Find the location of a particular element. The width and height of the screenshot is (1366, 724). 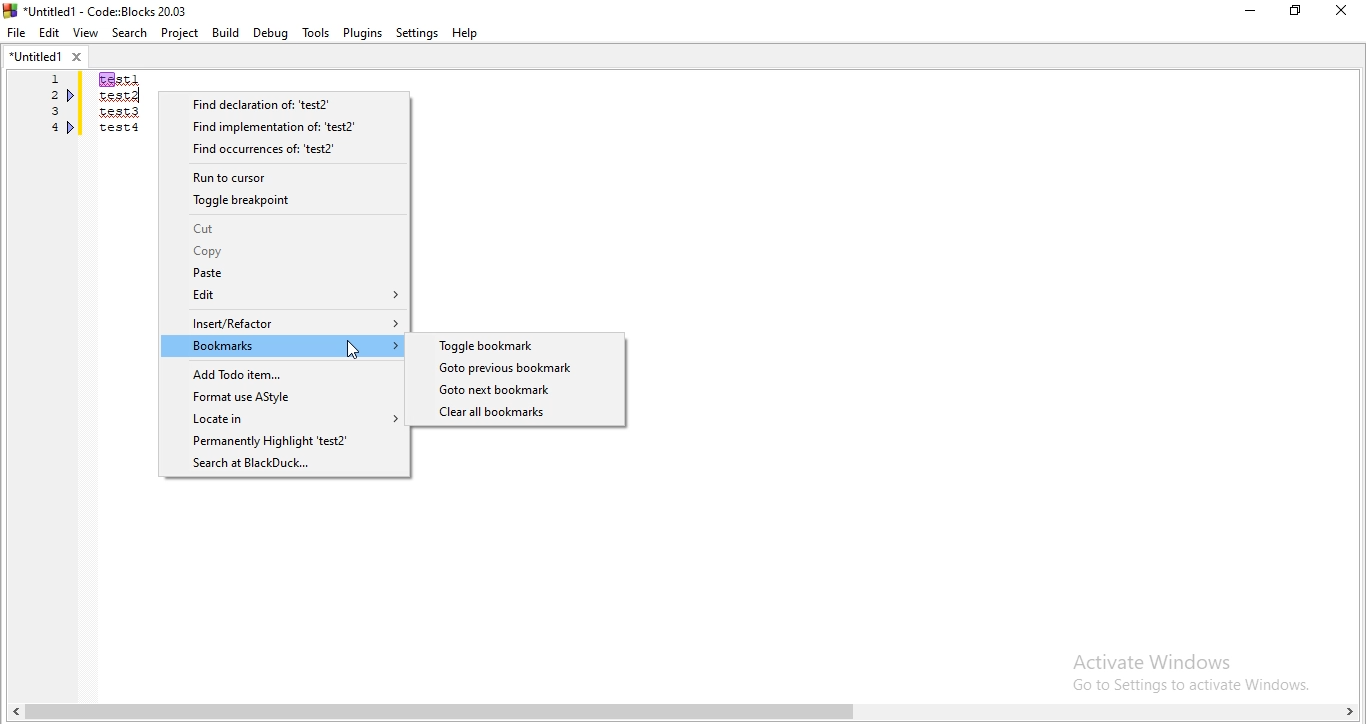

scroll bar is located at coordinates (683, 713).